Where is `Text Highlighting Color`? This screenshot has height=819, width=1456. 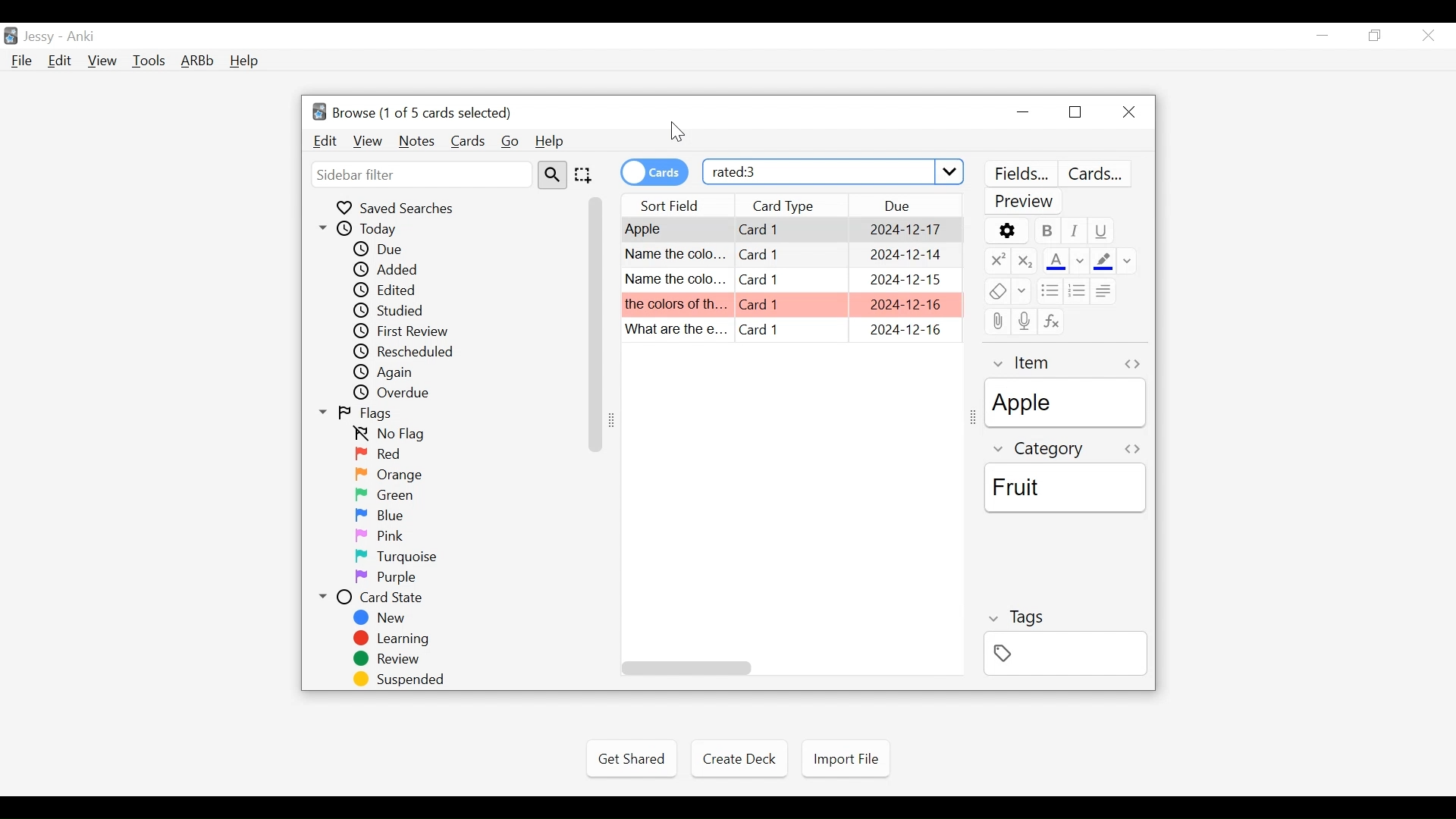
Text Highlighting Color is located at coordinates (1116, 260).